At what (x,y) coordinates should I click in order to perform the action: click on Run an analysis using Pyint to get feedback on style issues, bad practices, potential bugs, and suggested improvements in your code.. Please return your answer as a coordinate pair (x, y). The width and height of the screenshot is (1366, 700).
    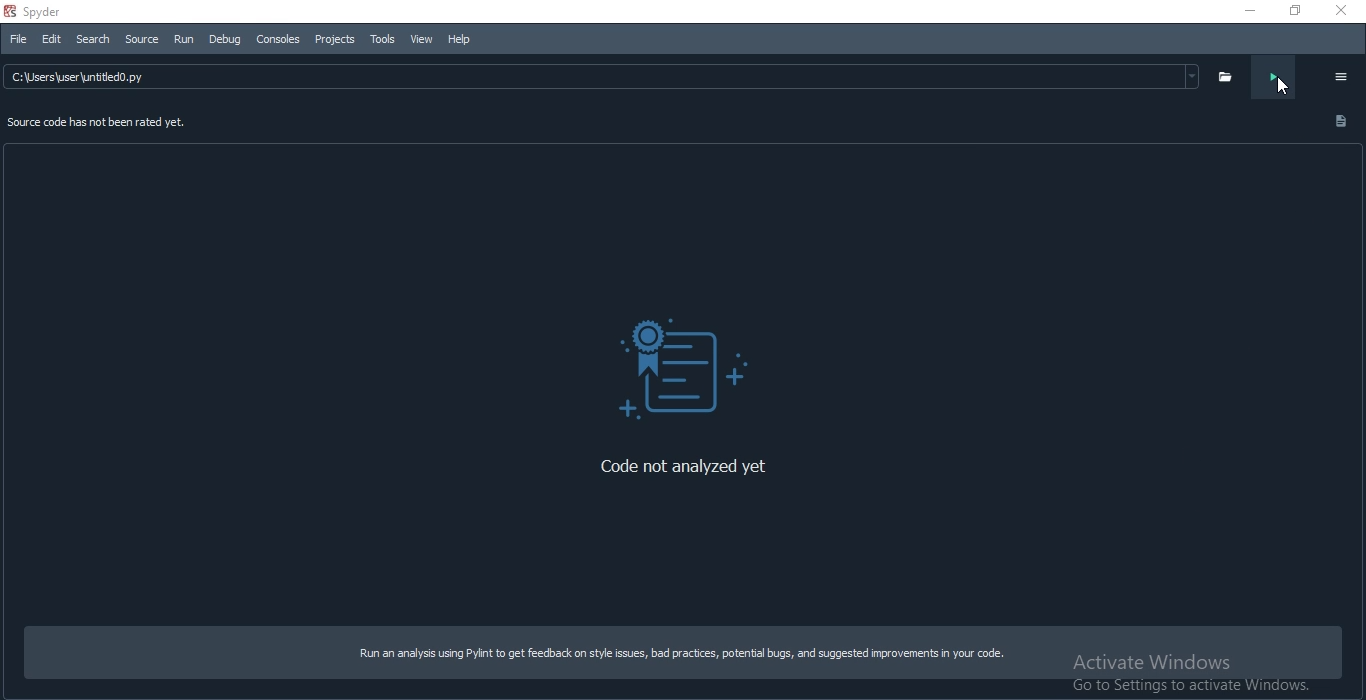
    Looking at the image, I should click on (678, 655).